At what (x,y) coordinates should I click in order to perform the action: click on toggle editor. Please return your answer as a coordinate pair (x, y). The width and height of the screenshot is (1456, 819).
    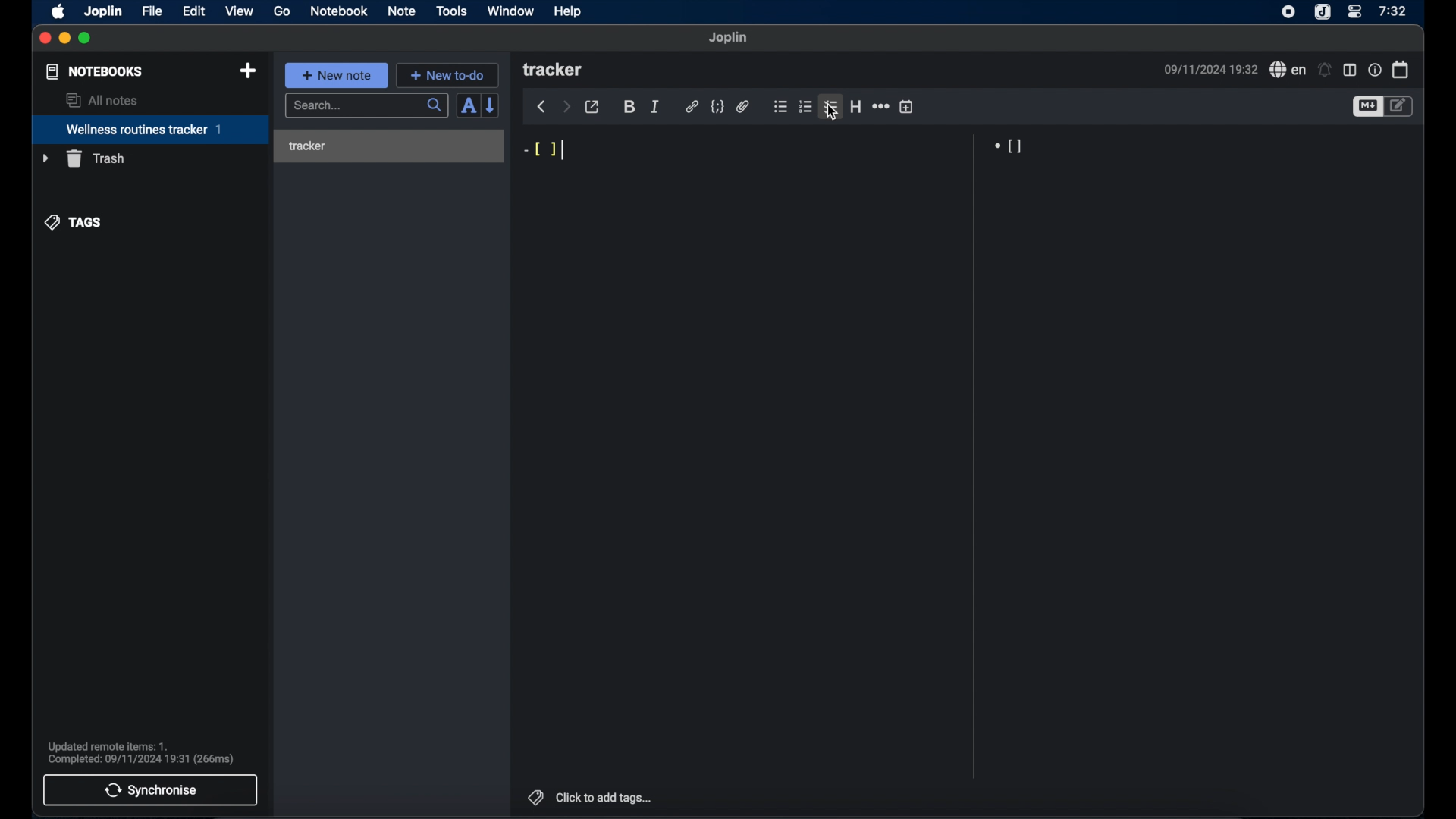
    Looking at the image, I should click on (1367, 106).